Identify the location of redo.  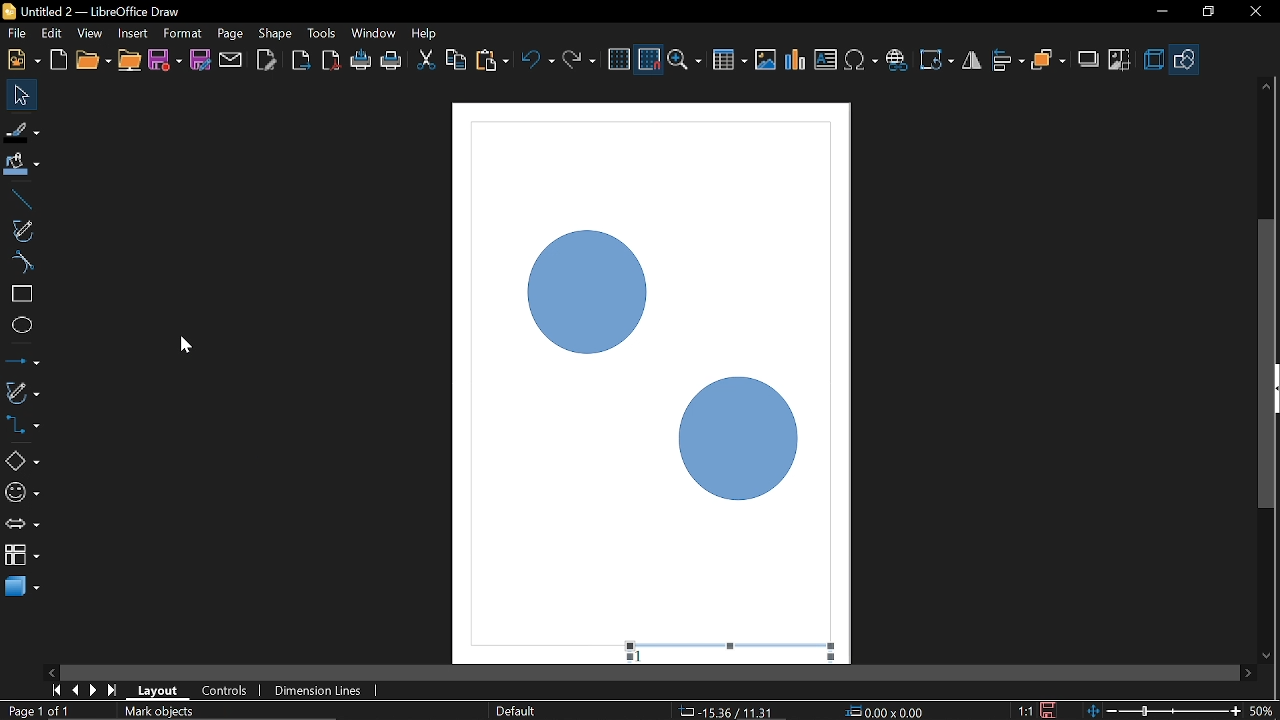
(579, 60).